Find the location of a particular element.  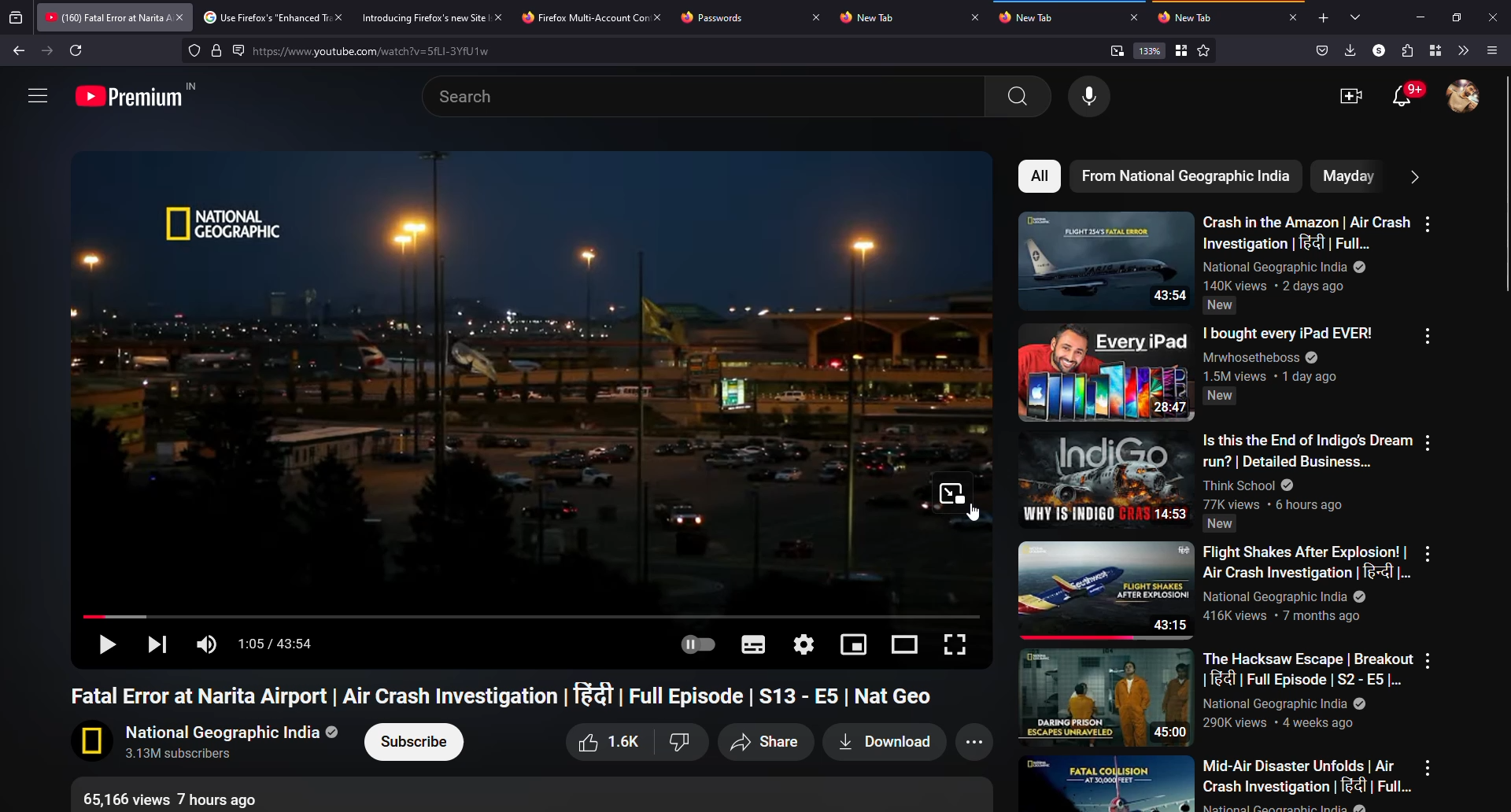

 is located at coordinates (16, 19).